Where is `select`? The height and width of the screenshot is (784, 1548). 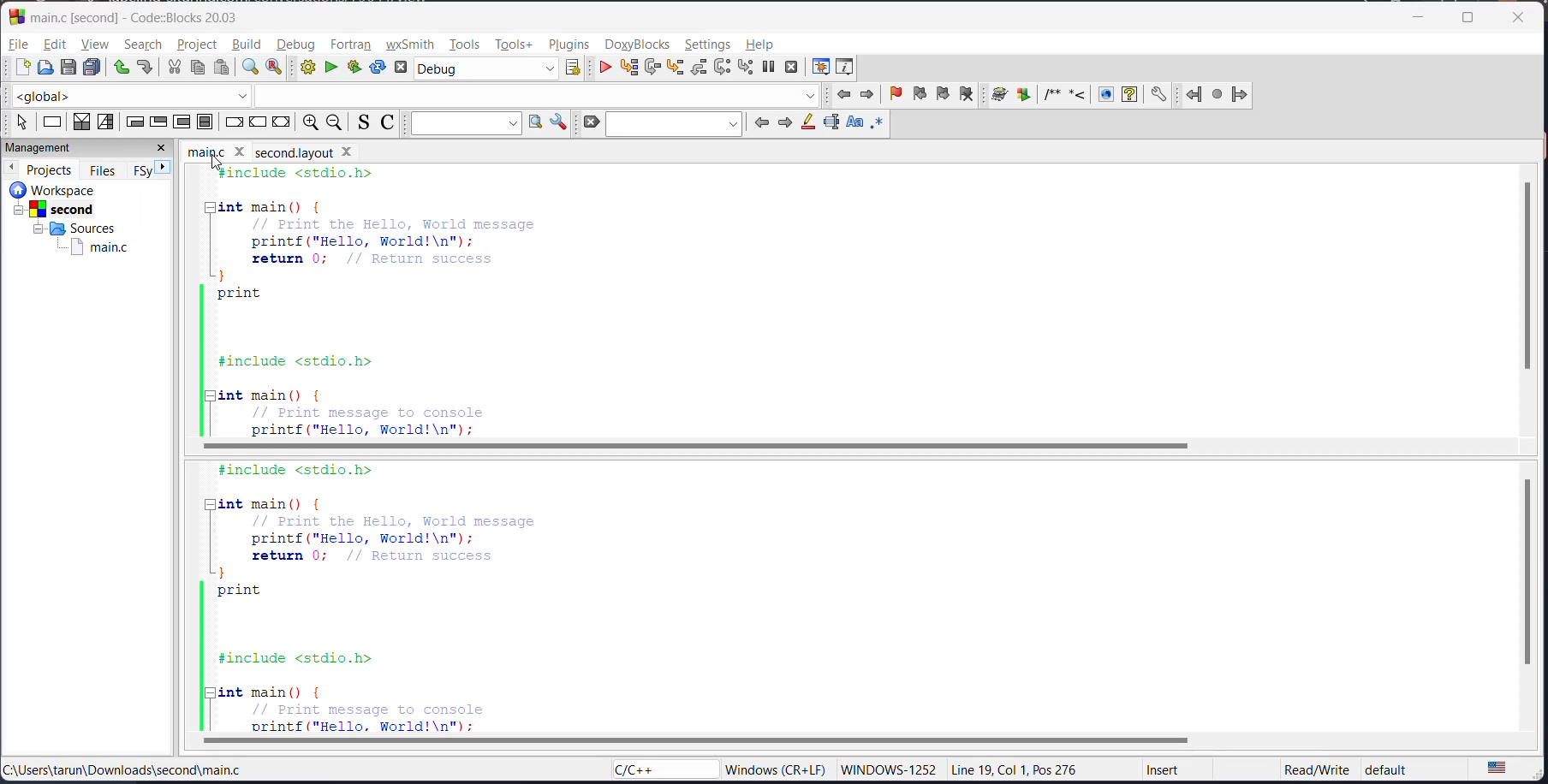 select is located at coordinates (24, 122).